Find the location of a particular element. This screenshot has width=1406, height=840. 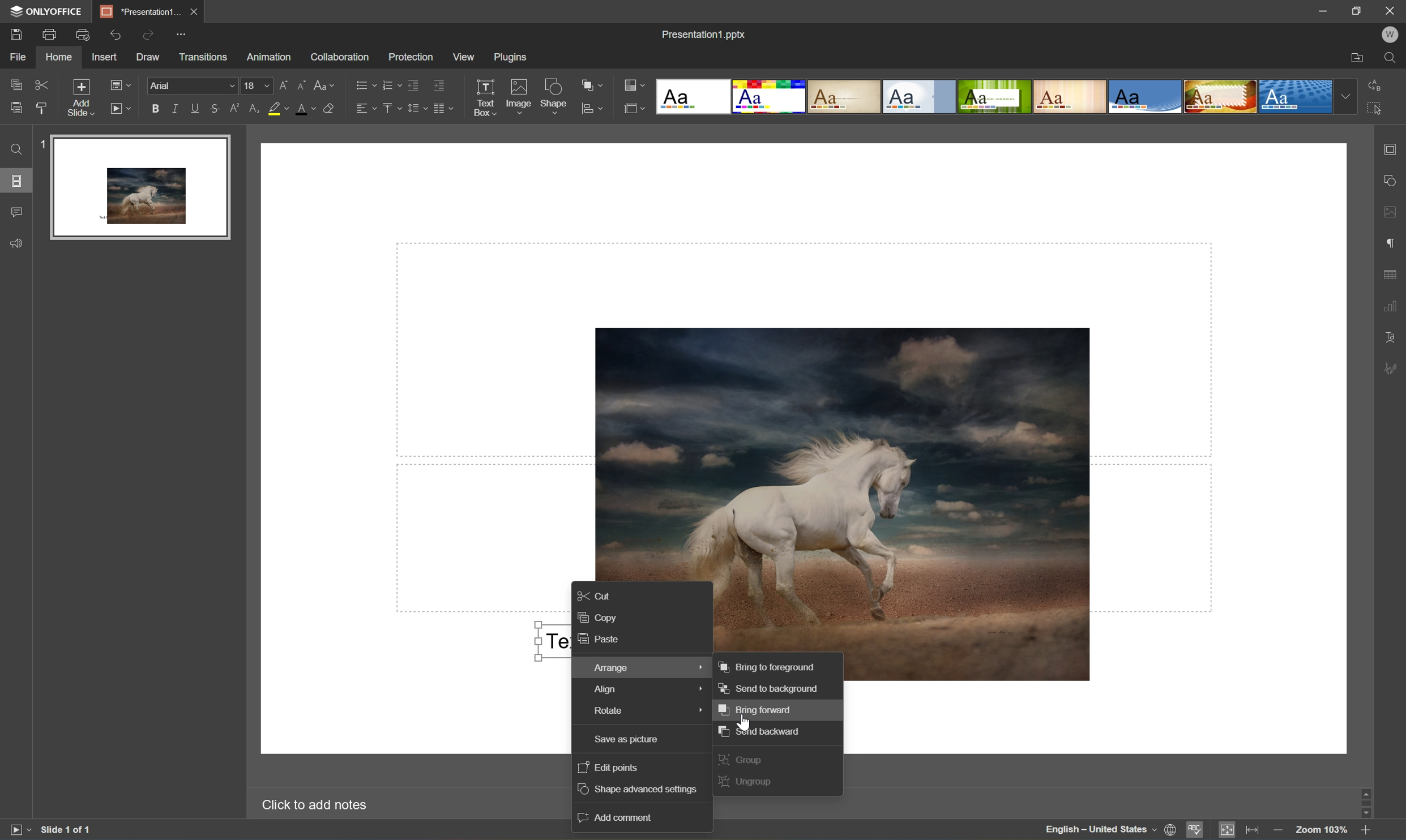

Animation is located at coordinates (271, 58).